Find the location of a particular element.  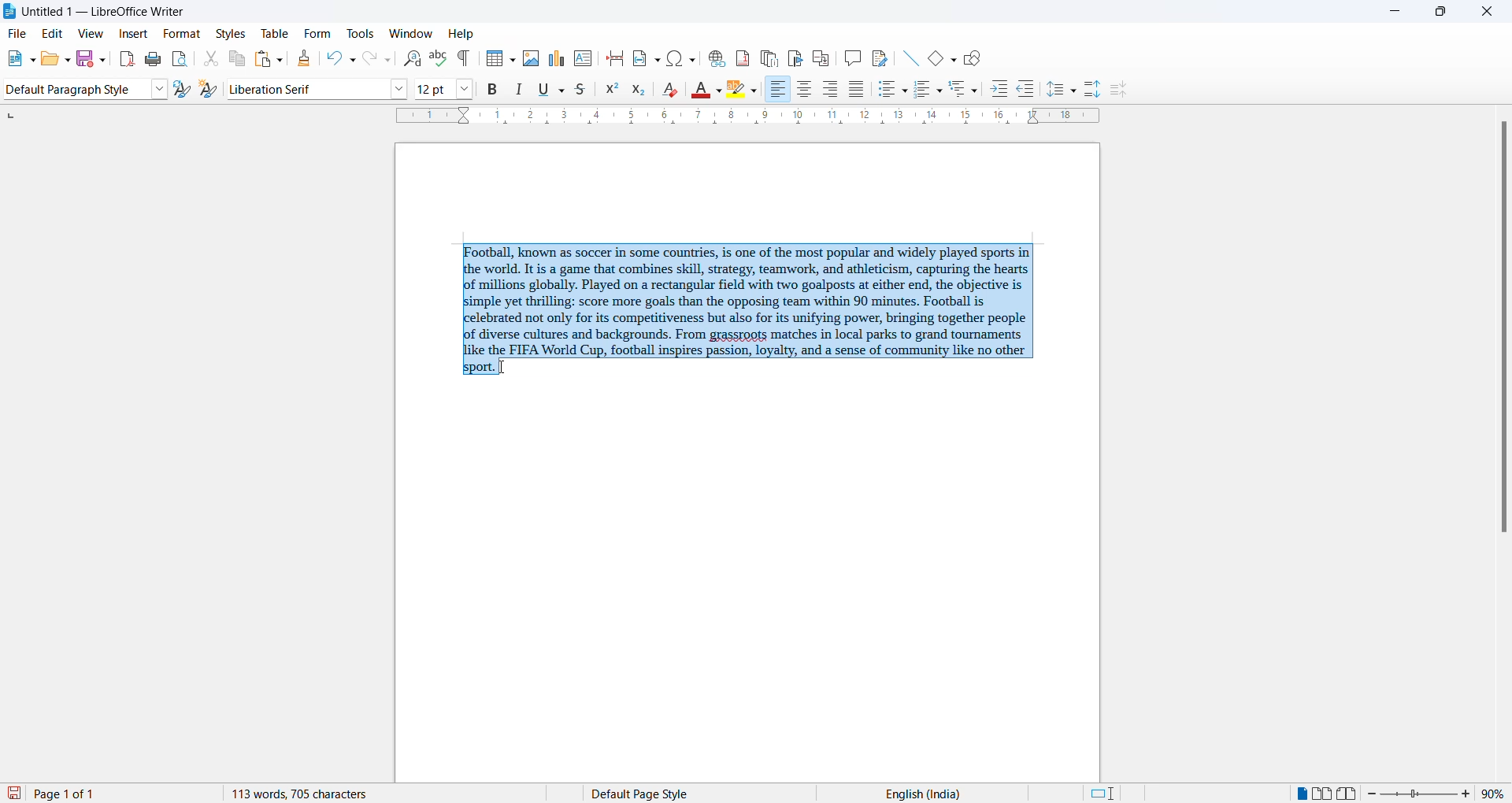

tools is located at coordinates (358, 32).